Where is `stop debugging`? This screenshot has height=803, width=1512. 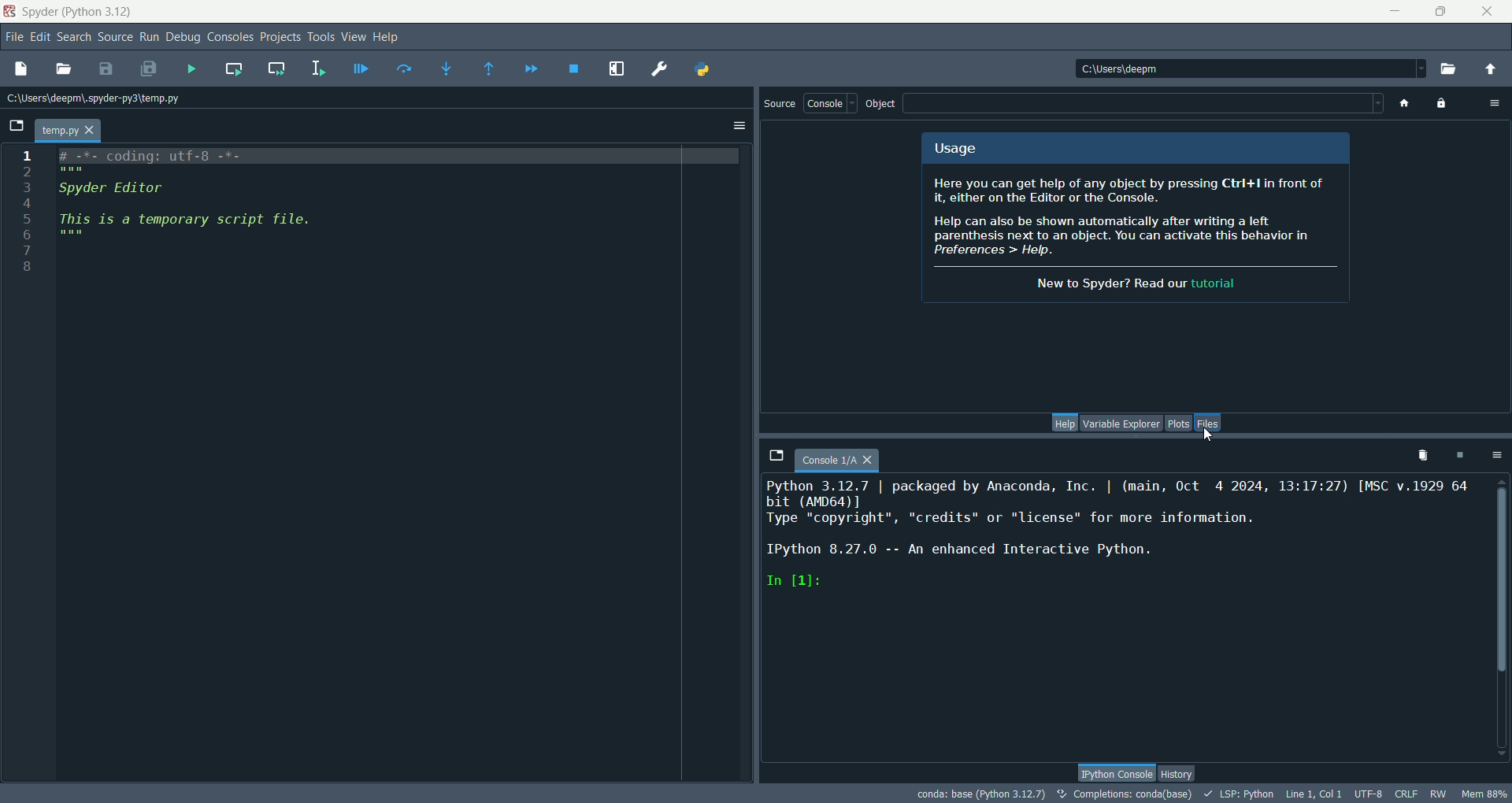 stop debugging is located at coordinates (579, 68).